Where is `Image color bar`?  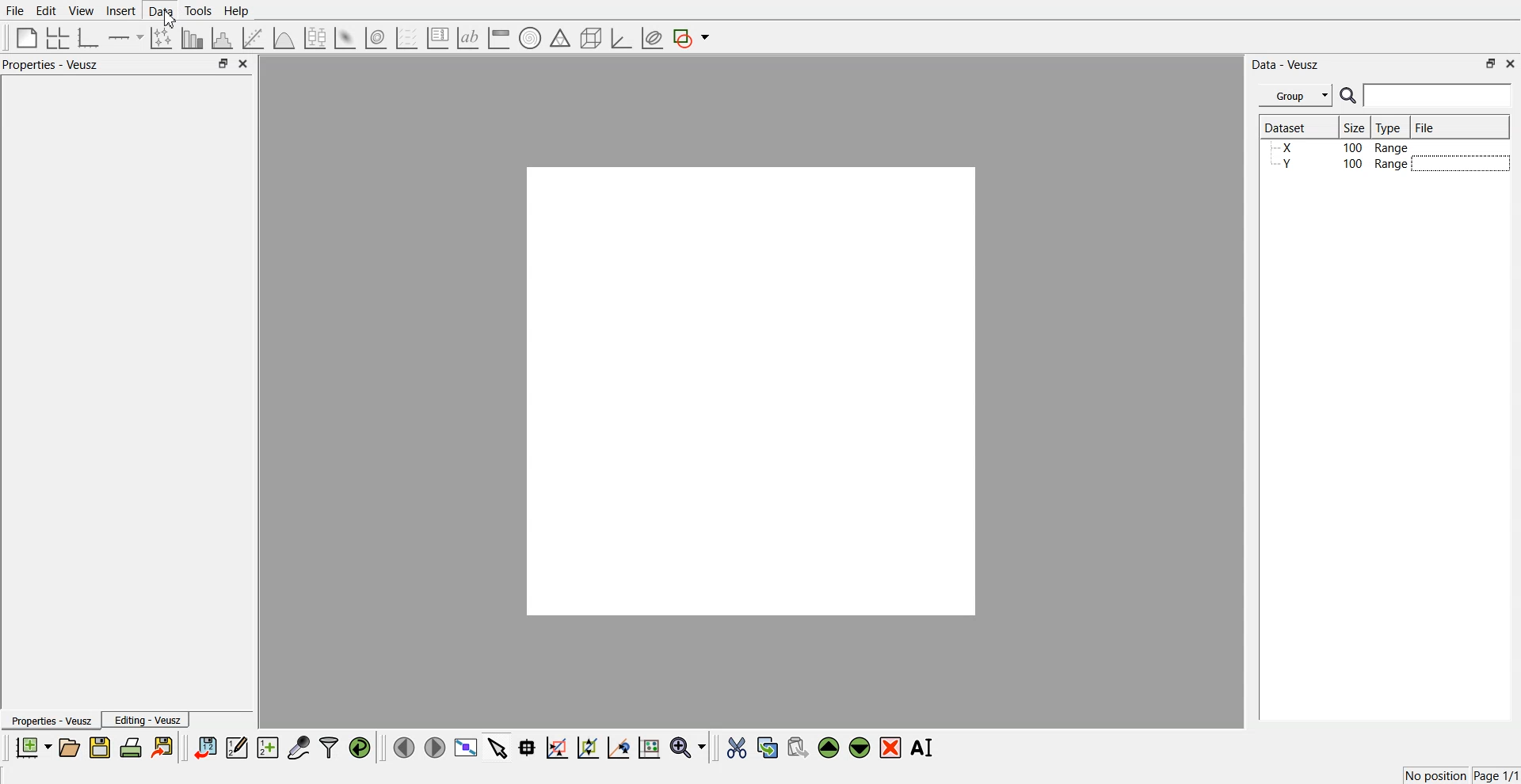 Image color bar is located at coordinates (499, 37).